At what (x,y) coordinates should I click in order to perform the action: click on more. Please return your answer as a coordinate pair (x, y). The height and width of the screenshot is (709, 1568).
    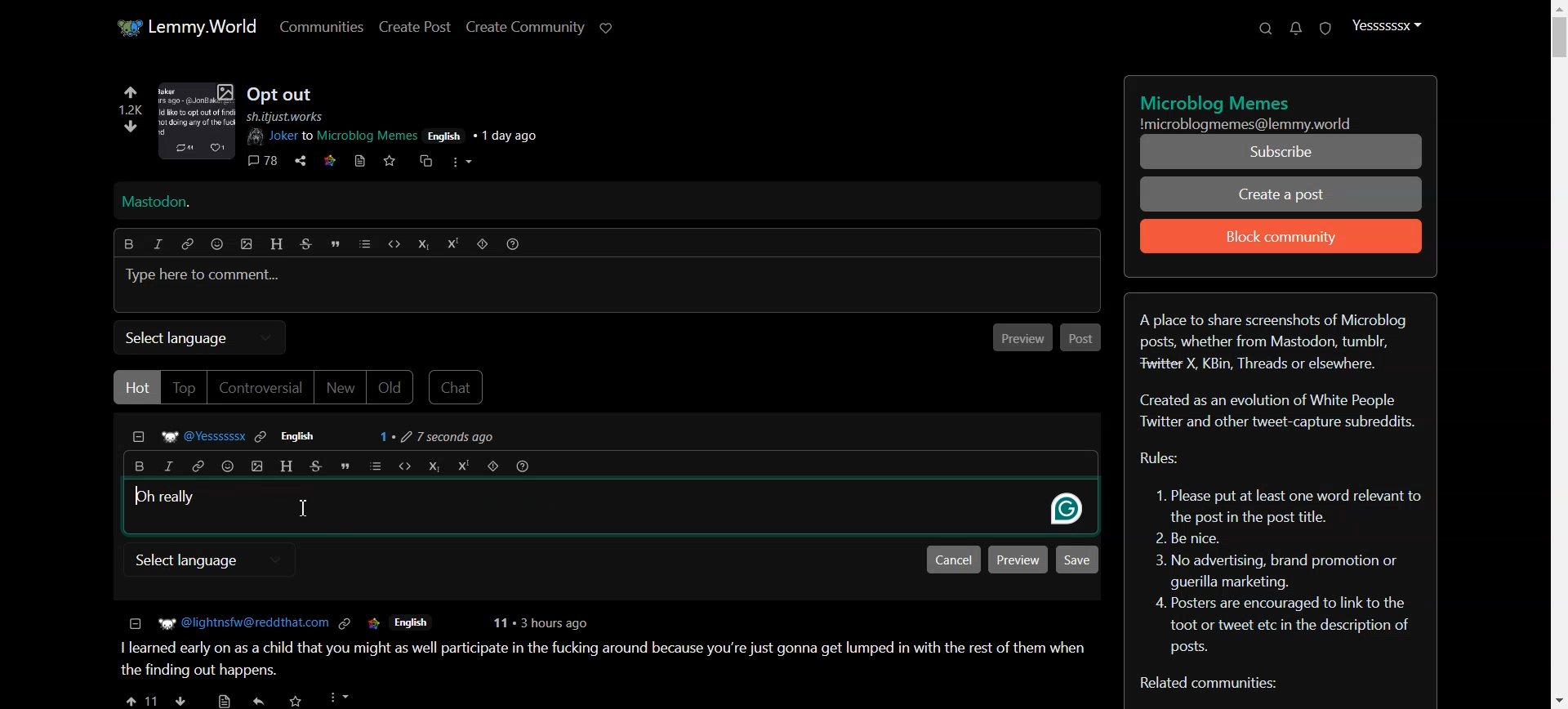
    Looking at the image, I should click on (345, 698).